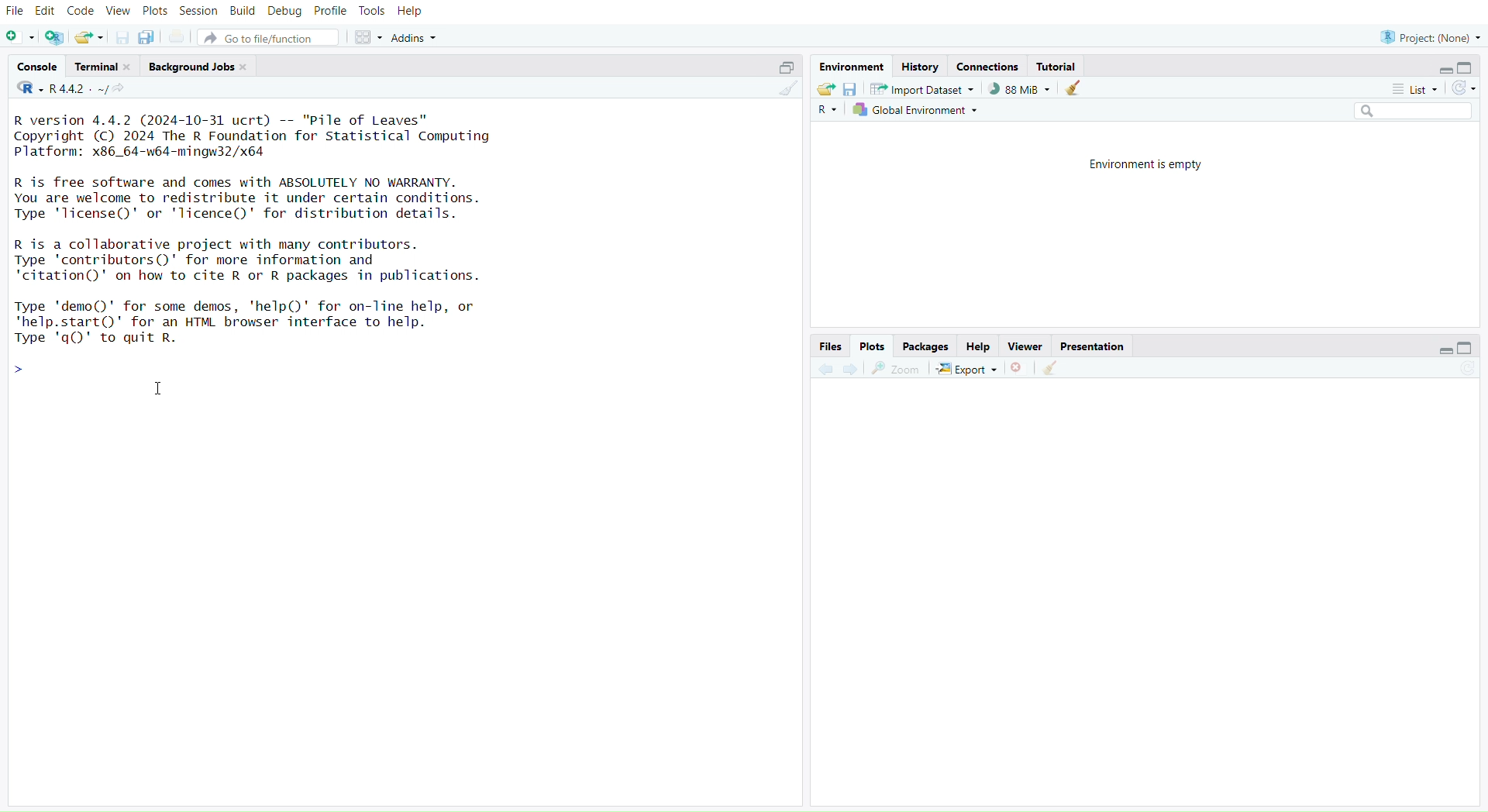  What do you see at coordinates (119, 12) in the screenshot?
I see `view` at bounding box center [119, 12].